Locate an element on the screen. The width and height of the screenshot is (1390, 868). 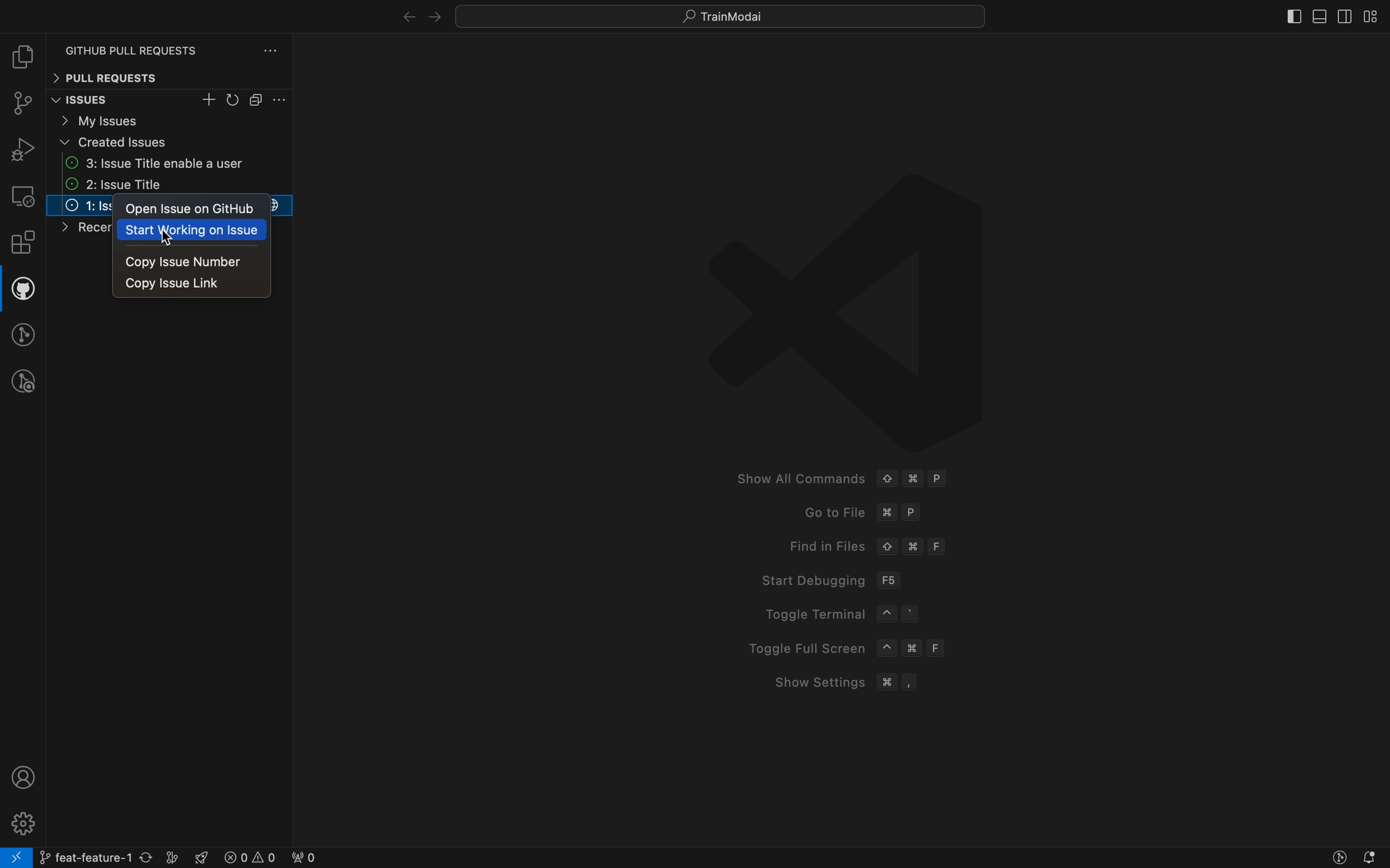
right arrow is located at coordinates (400, 13).